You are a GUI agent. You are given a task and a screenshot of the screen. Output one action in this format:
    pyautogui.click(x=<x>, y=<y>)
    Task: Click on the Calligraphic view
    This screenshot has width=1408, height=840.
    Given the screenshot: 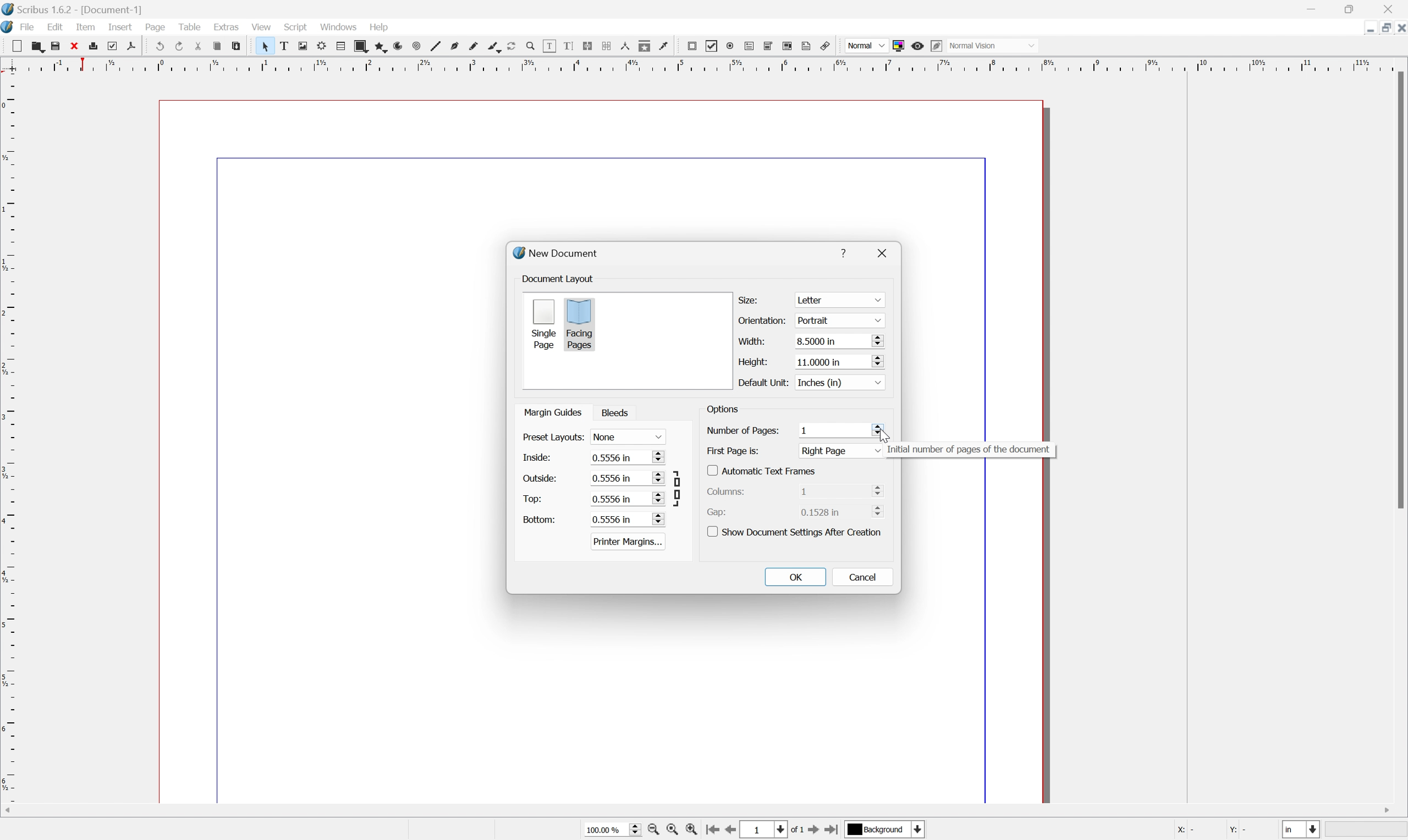 What is the action you would take?
    pyautogui.click(x=491, y=46)
    